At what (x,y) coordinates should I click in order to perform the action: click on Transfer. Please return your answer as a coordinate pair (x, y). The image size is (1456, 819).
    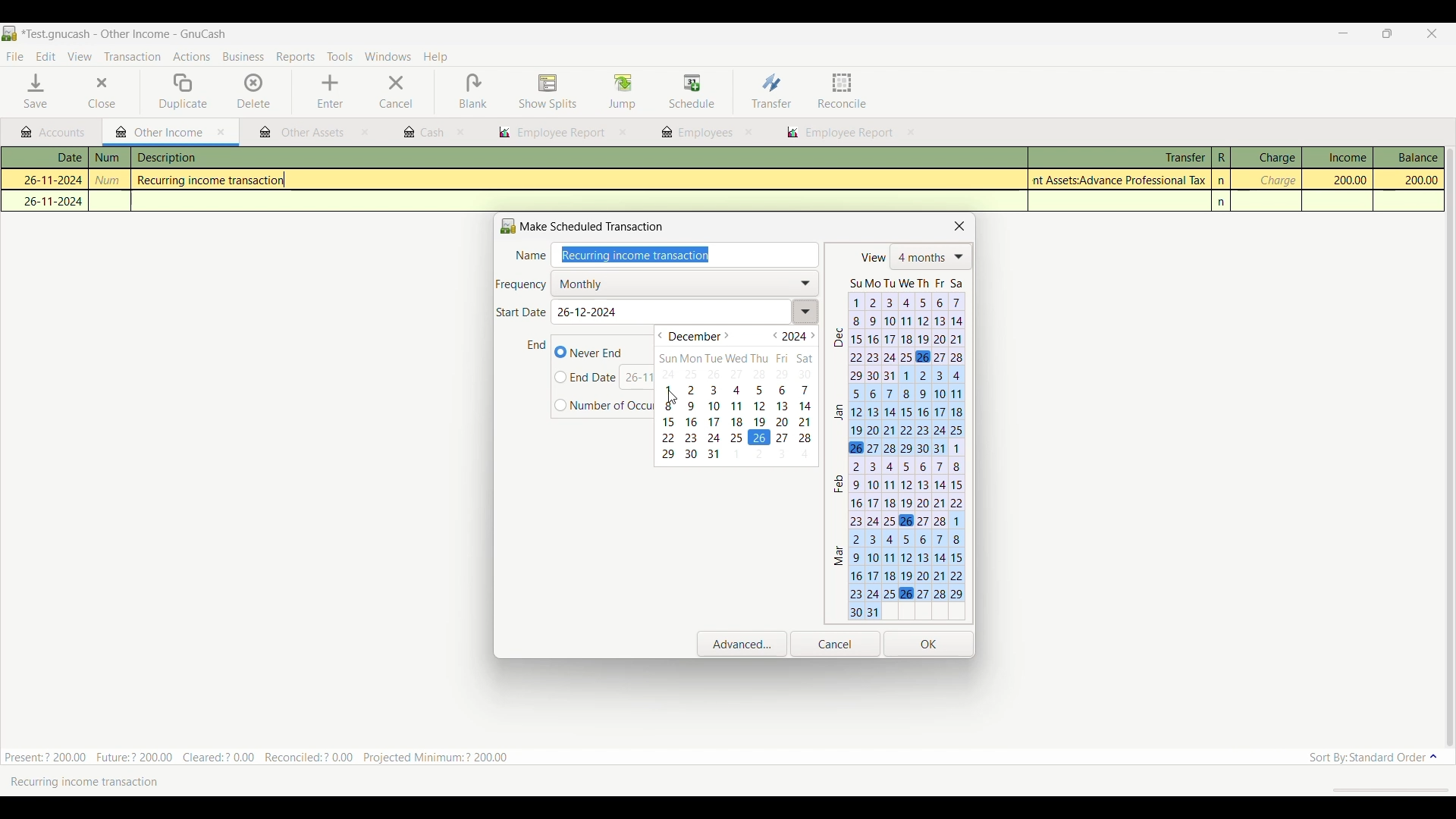
    Looking at the image, I should click on (771, 90).